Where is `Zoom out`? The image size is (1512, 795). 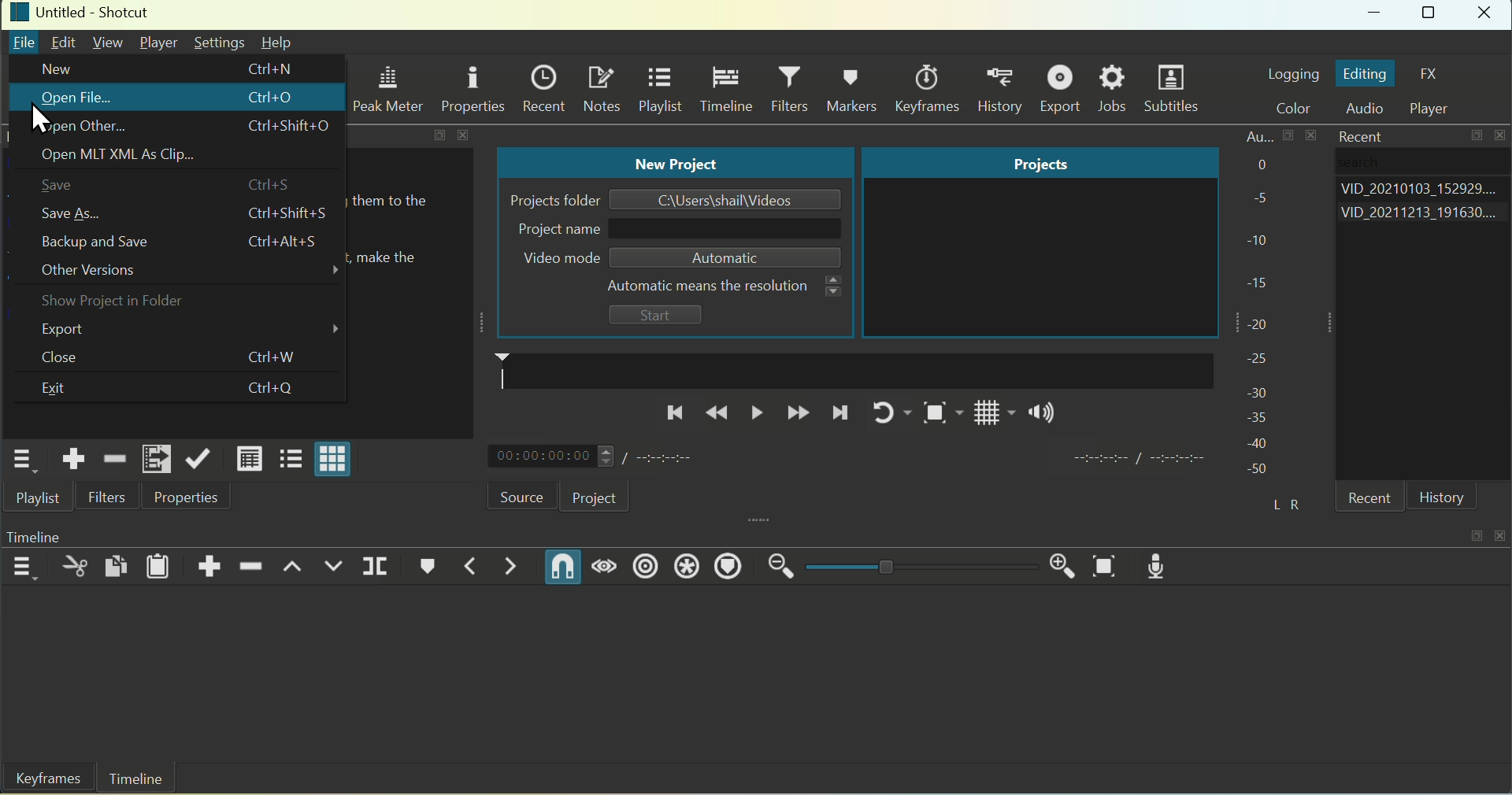 Zoom out is located at coordinates (782, 567).